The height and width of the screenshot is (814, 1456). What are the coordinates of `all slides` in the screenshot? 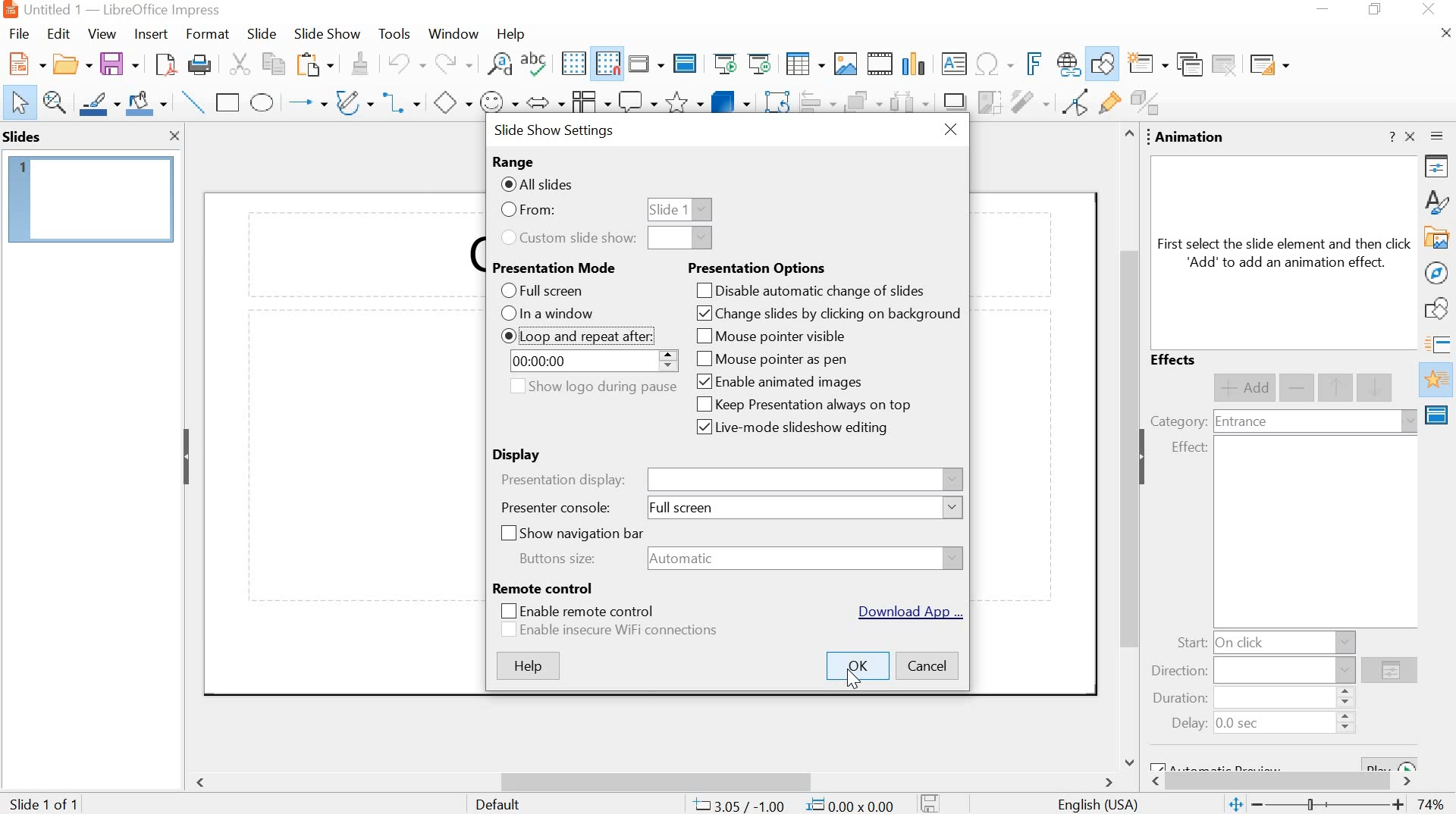 It's located at (538, 184).